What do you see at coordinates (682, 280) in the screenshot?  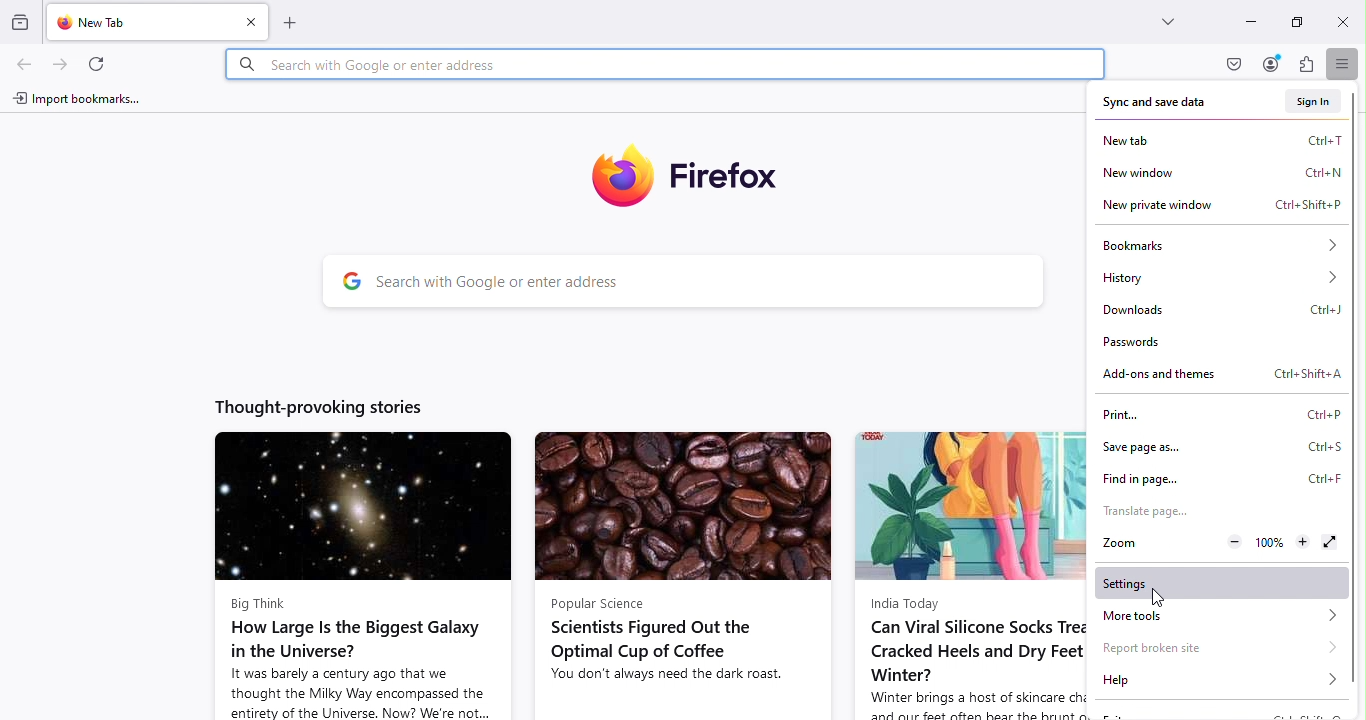 I see `Search bar` at bounding box center [682, 280].